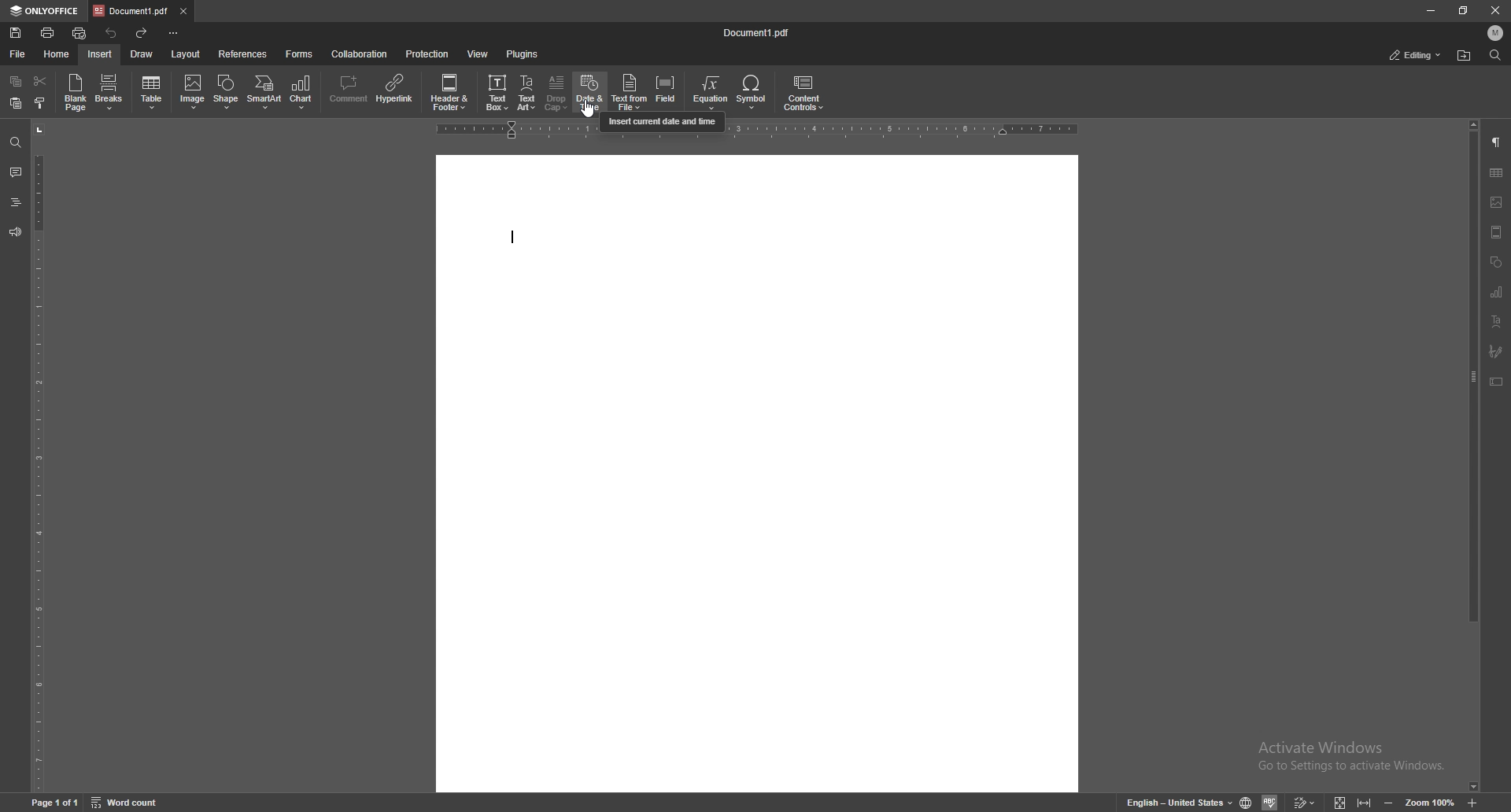 This screenshot has height=812, width=1511. What do you see at coordinates (1495, 201) in the screenshot?
I see `image` at bounding box center [1495, 201].